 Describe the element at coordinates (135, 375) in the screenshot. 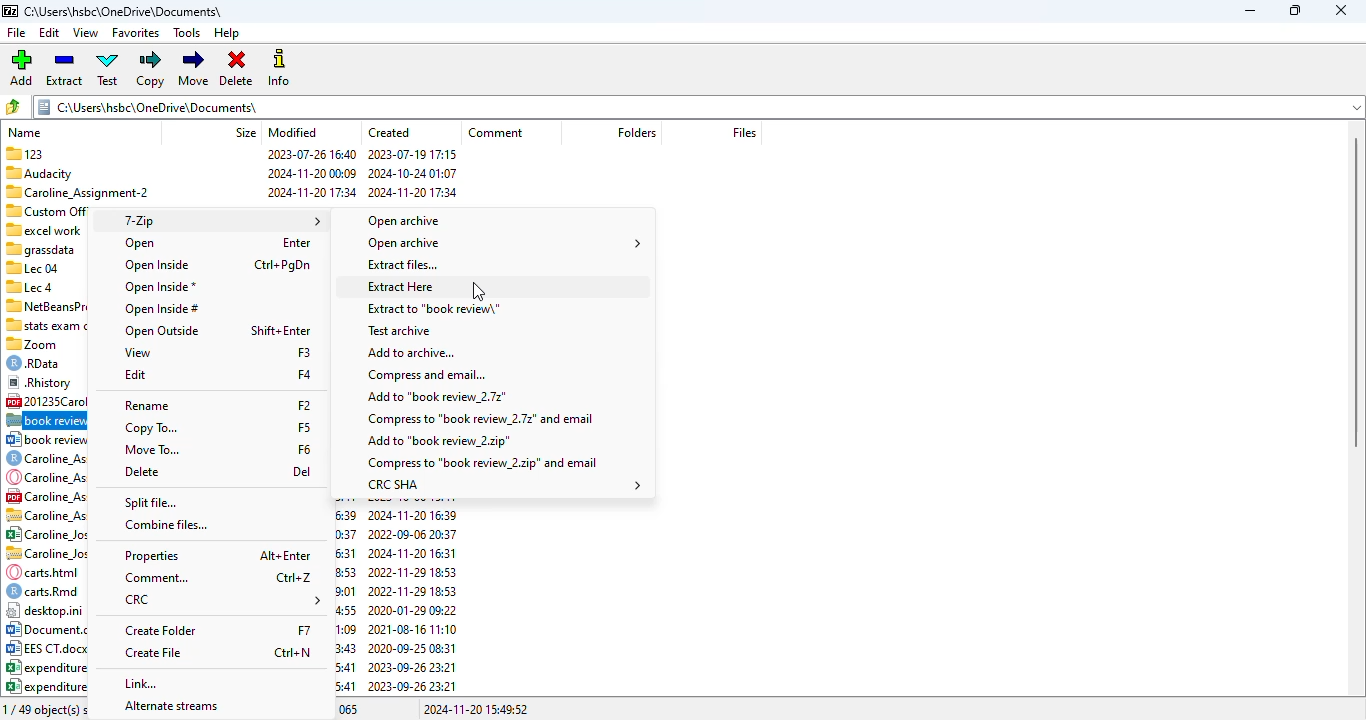

I see `edit` at that location.